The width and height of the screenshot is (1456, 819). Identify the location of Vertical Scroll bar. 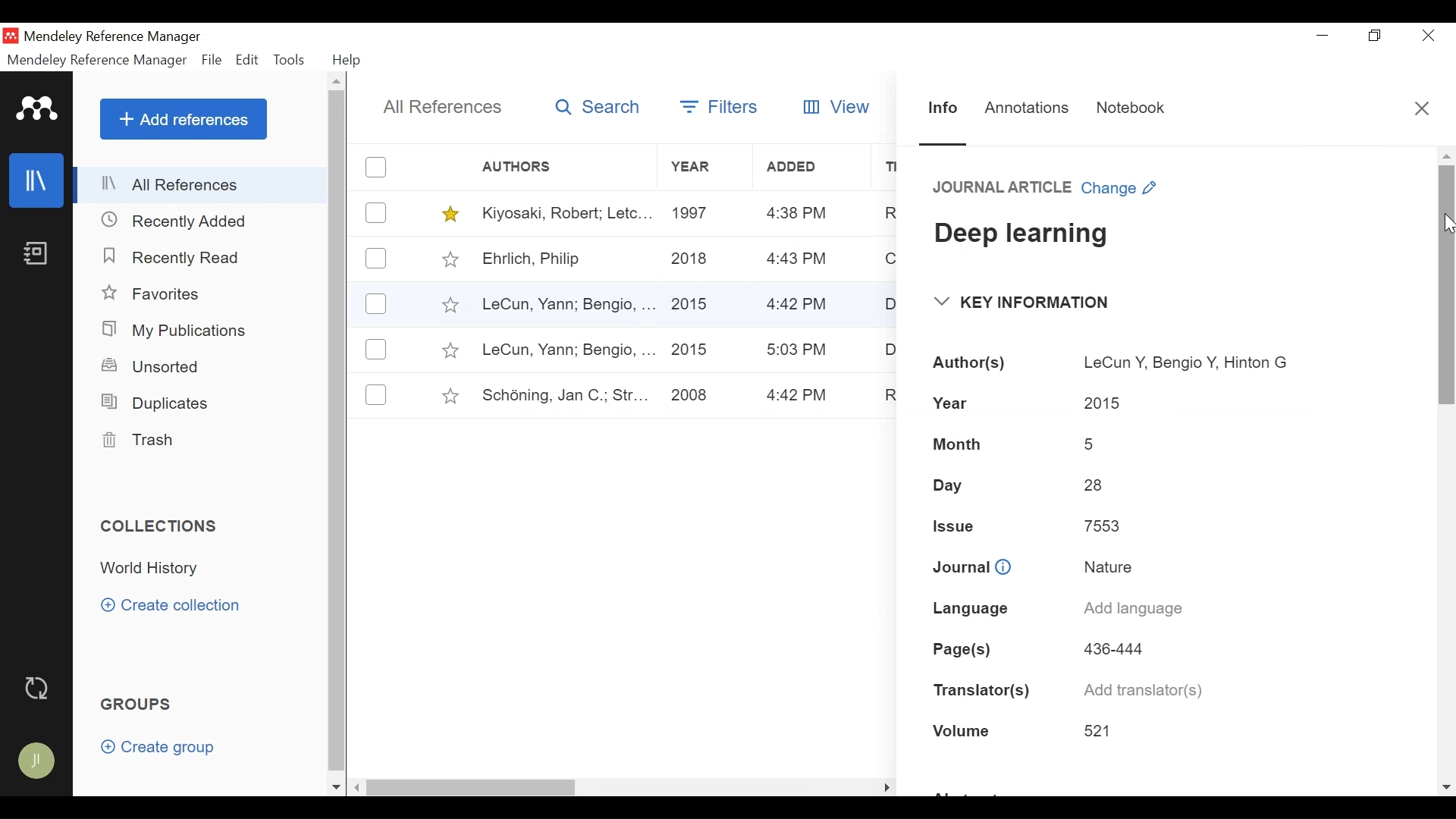
(1447, 283).